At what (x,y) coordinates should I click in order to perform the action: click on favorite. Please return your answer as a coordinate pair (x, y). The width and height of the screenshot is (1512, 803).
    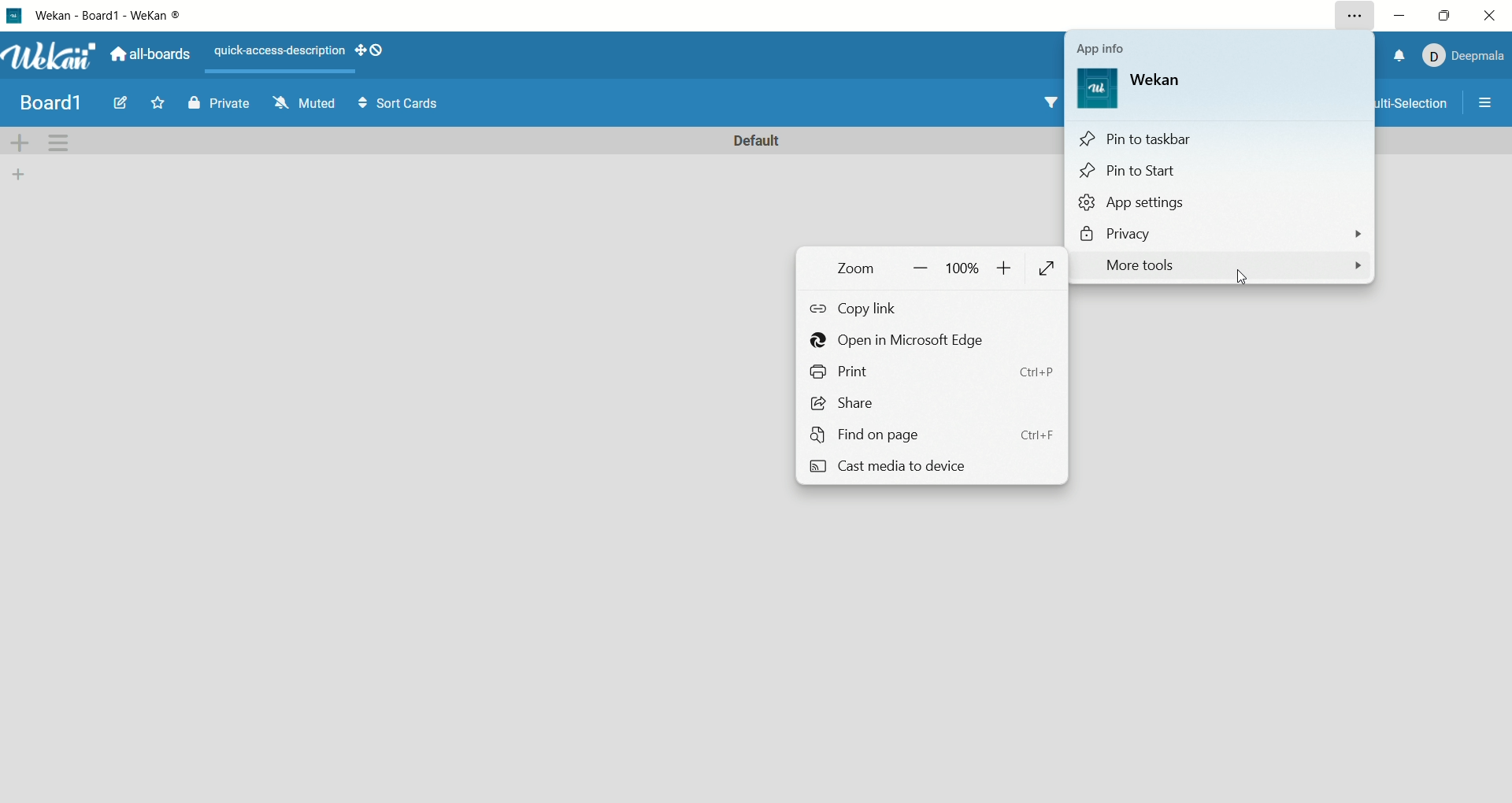
    Looking at the image, I should click on (160, 102).